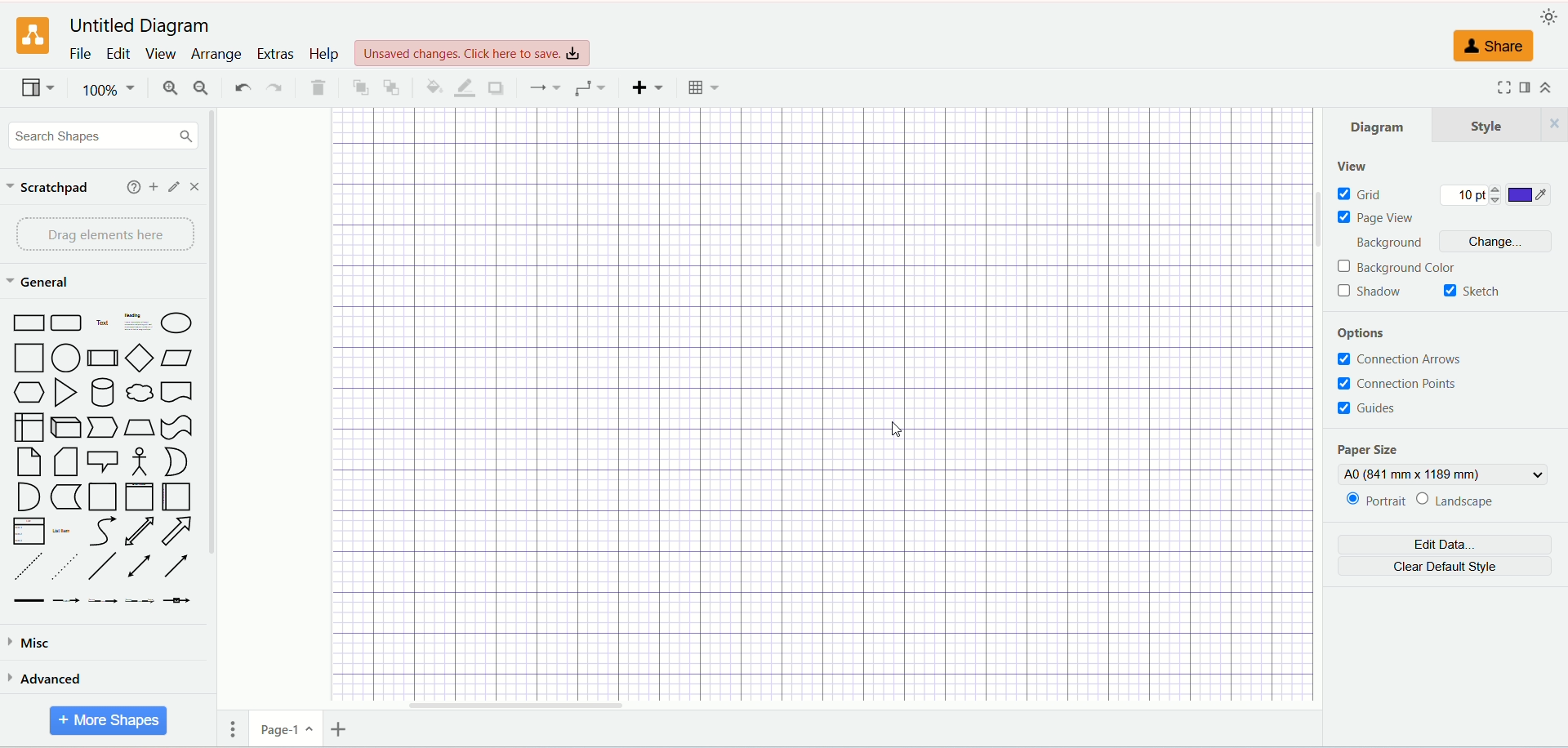 The width and height of the screenshot is (1568, 748). What do you see at coordinates (1401, 268) in the screenshot?
I see `background color` at bounding box center [1401, 268].